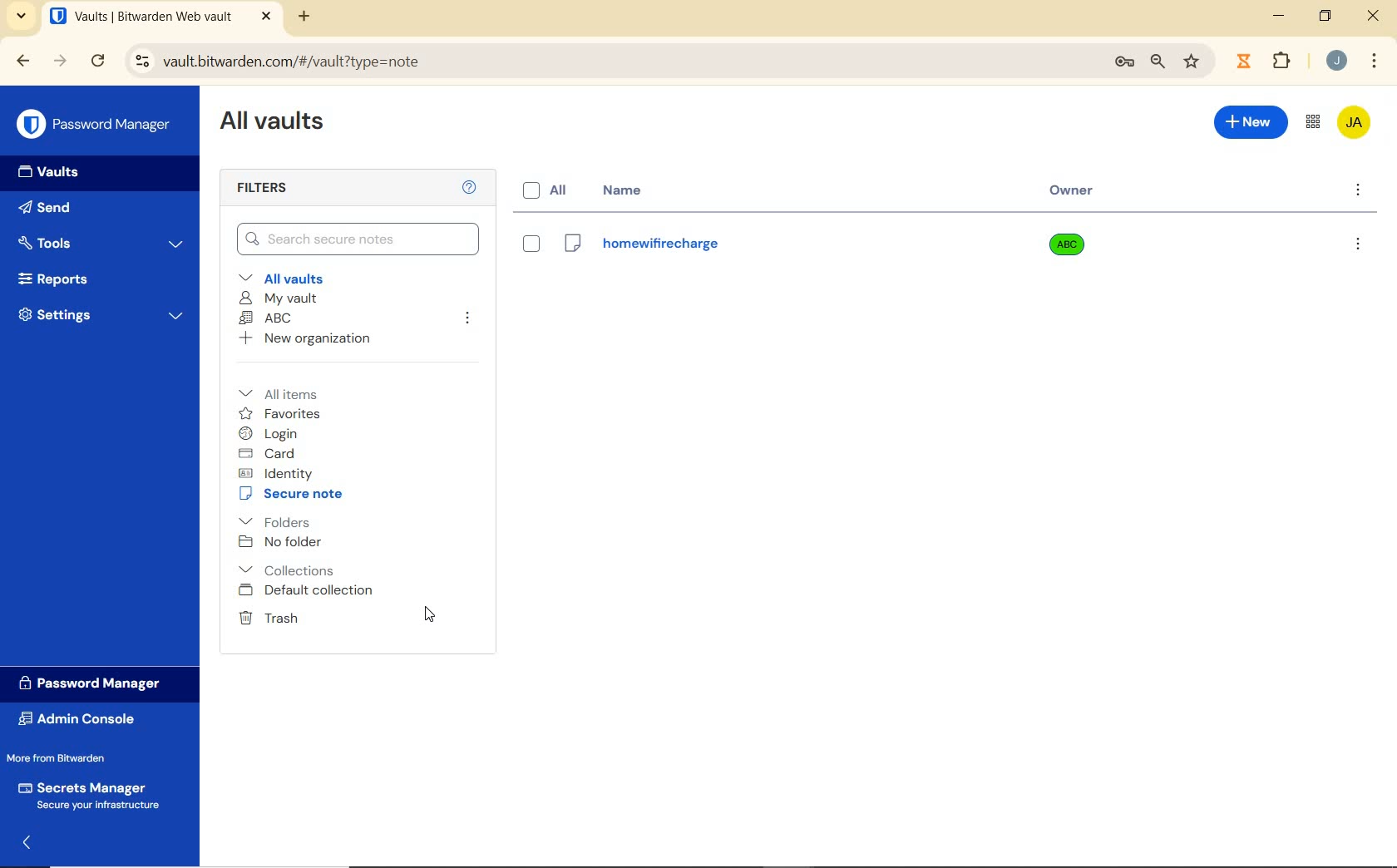 The image size is (1397, 868). What do you see at coordinates (266, 319) in the screenshot?
I see `ABC` at bounding box center [266, 319].